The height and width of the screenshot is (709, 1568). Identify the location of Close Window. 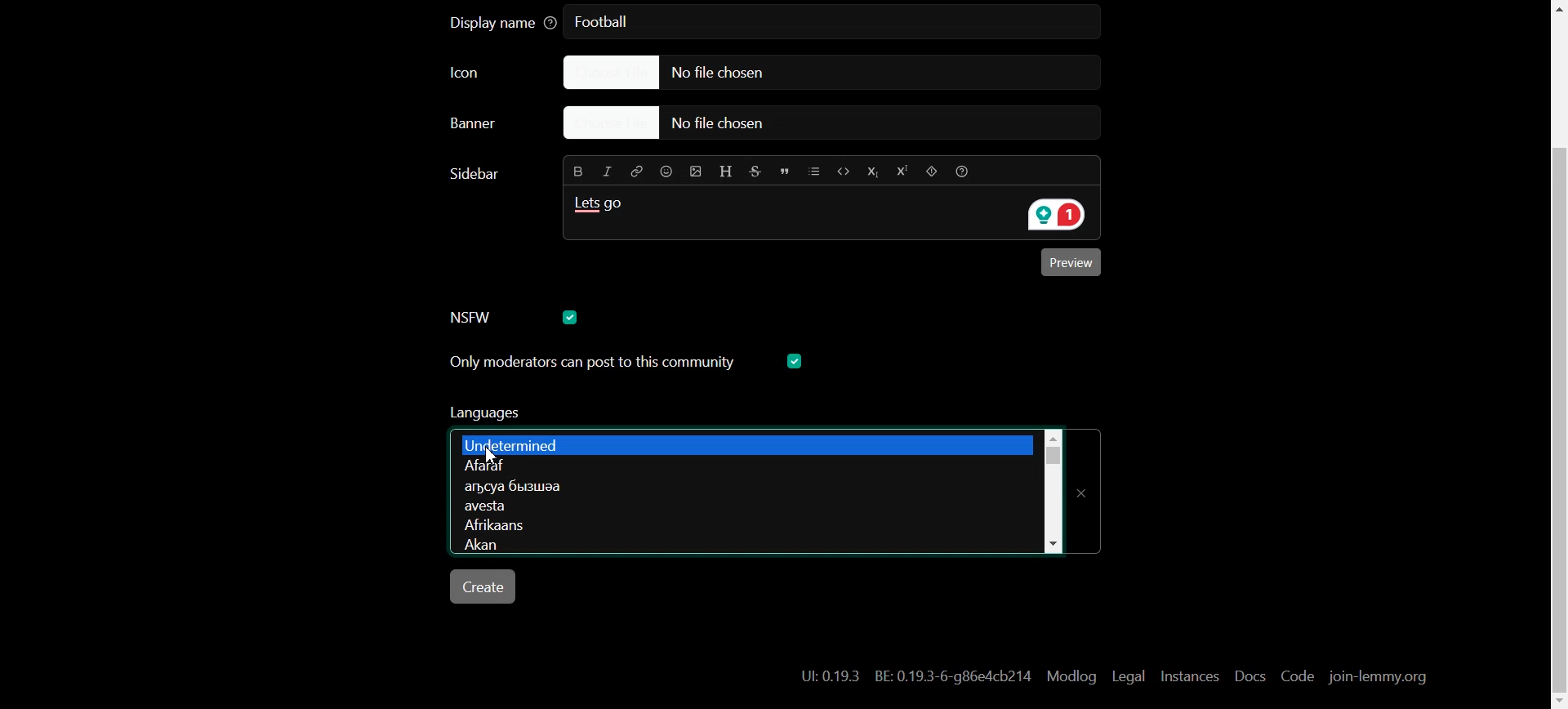
(1087, 486).